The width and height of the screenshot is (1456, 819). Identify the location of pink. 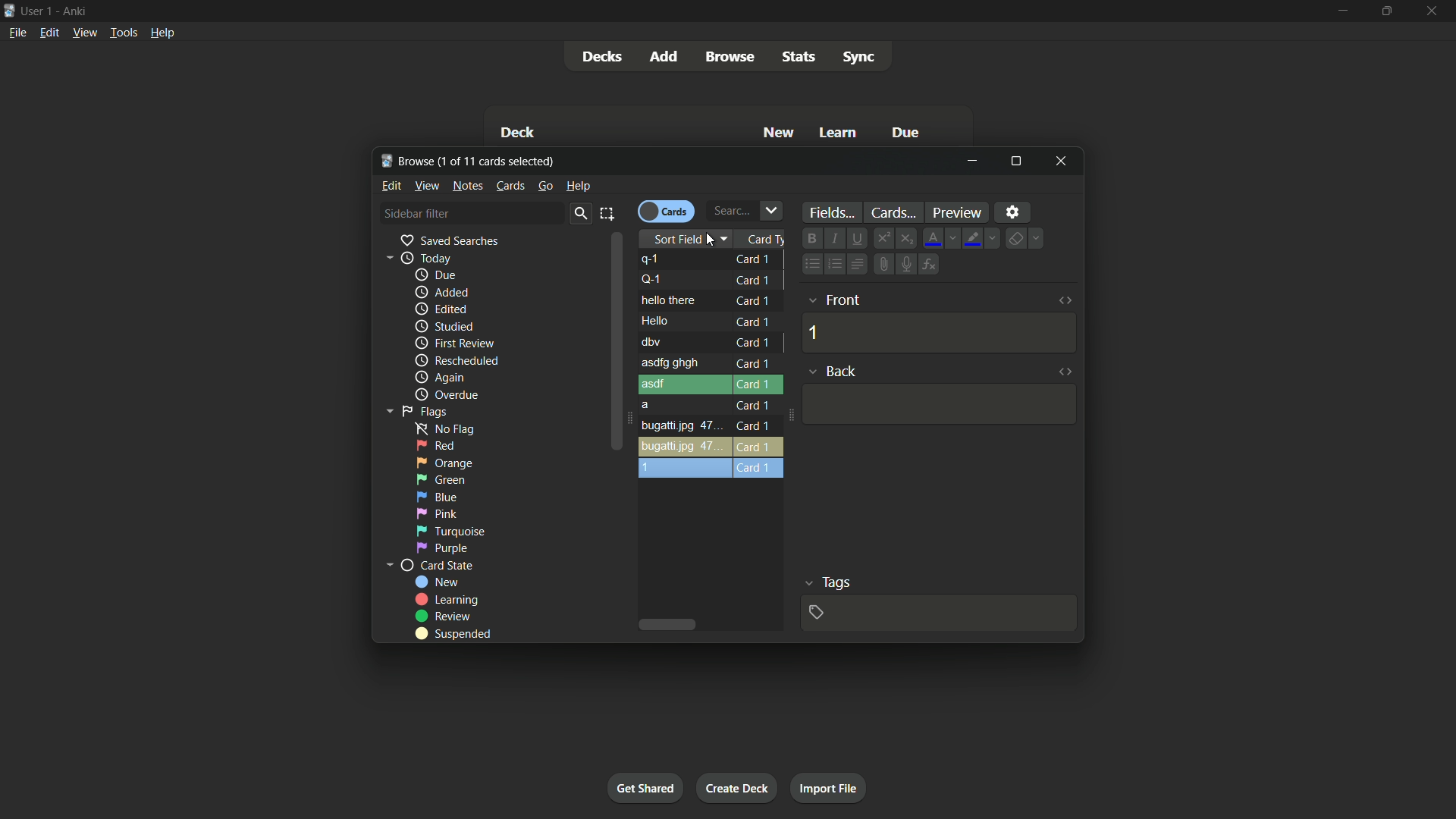
(437, 514).